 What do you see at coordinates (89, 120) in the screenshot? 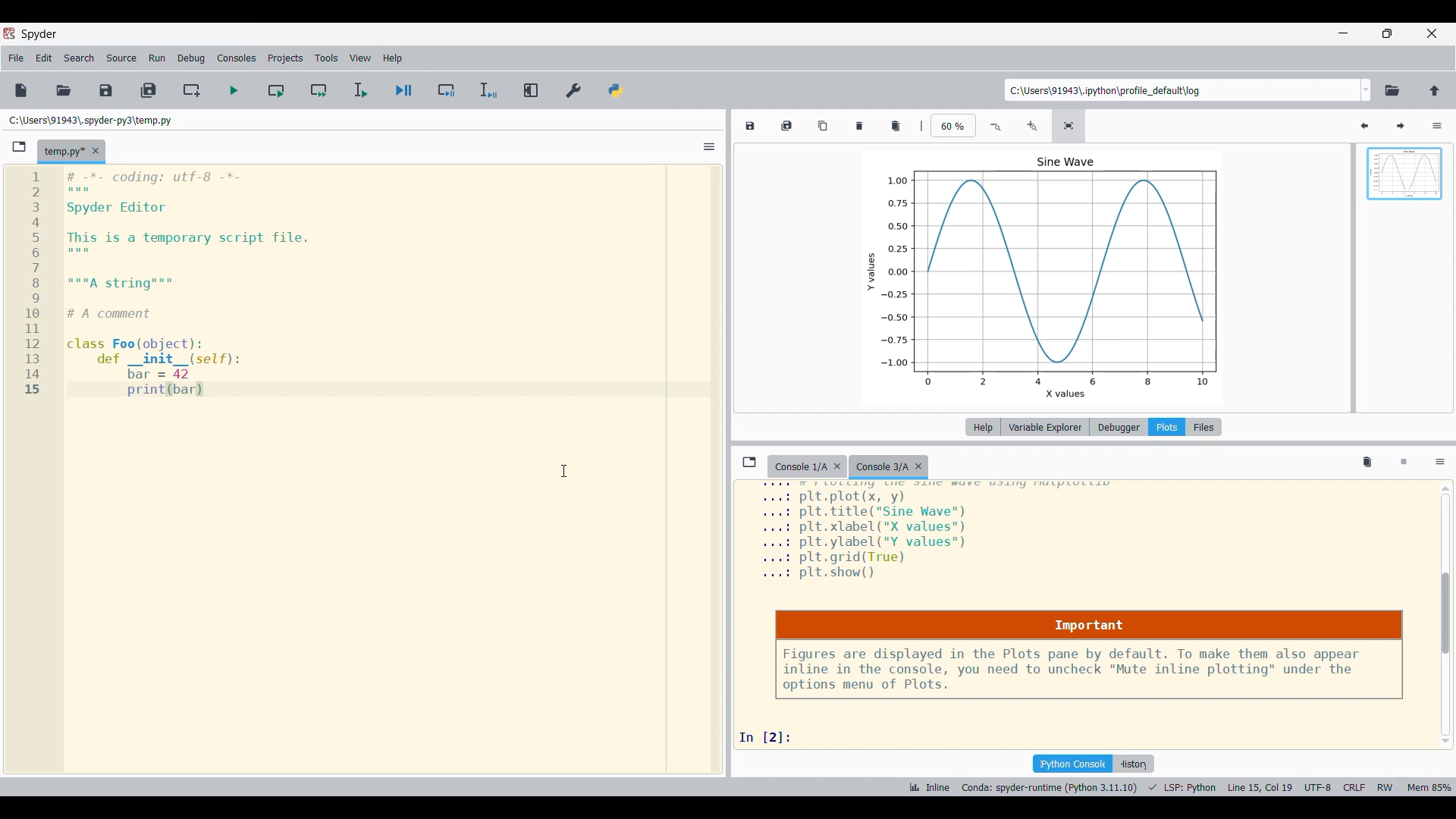
I see `File location` at bounding box center [89, 120].